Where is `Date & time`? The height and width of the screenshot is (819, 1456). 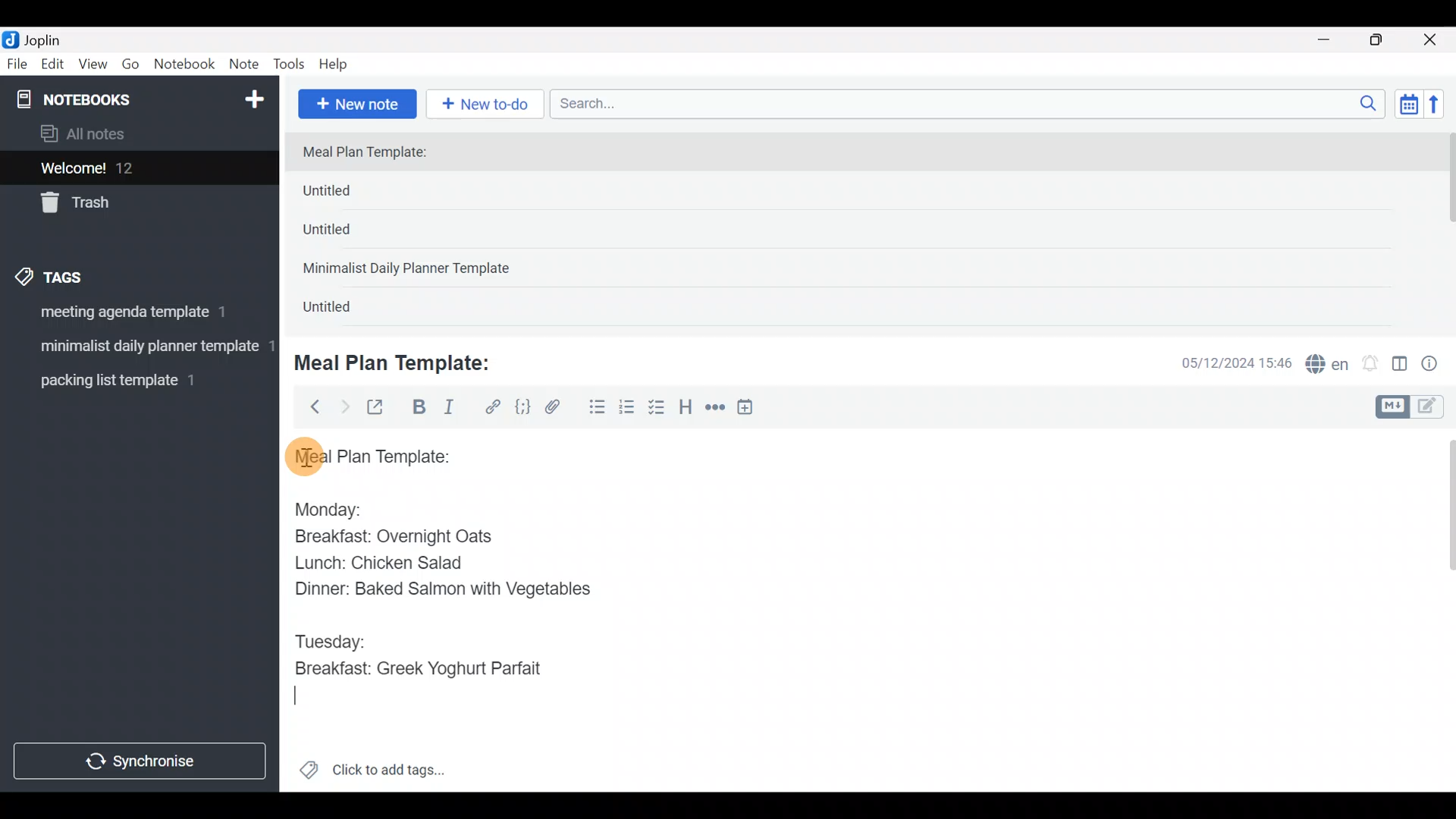 Date & time is located at coordinates (1225, 362).